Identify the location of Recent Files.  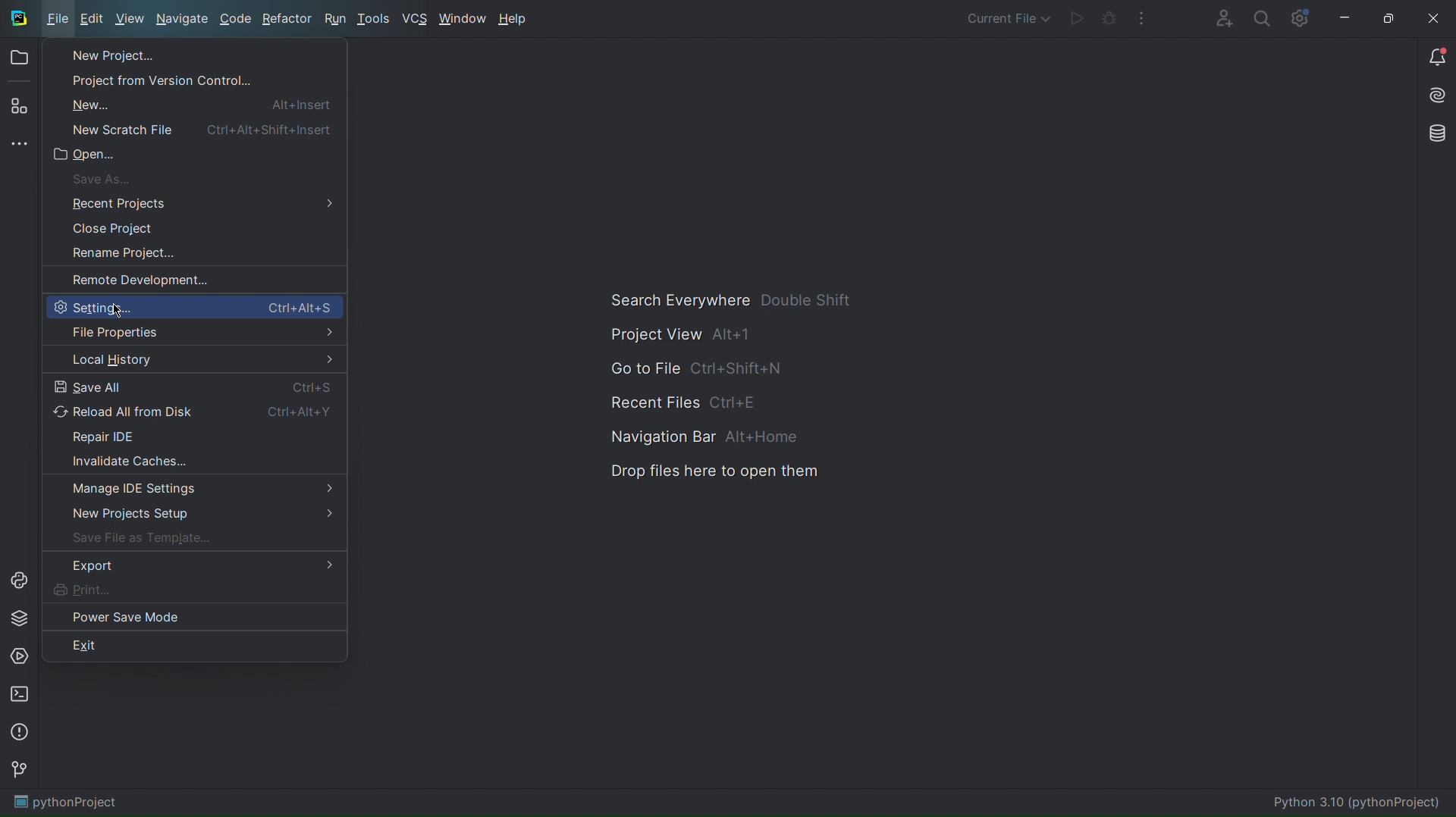
(697, 400).